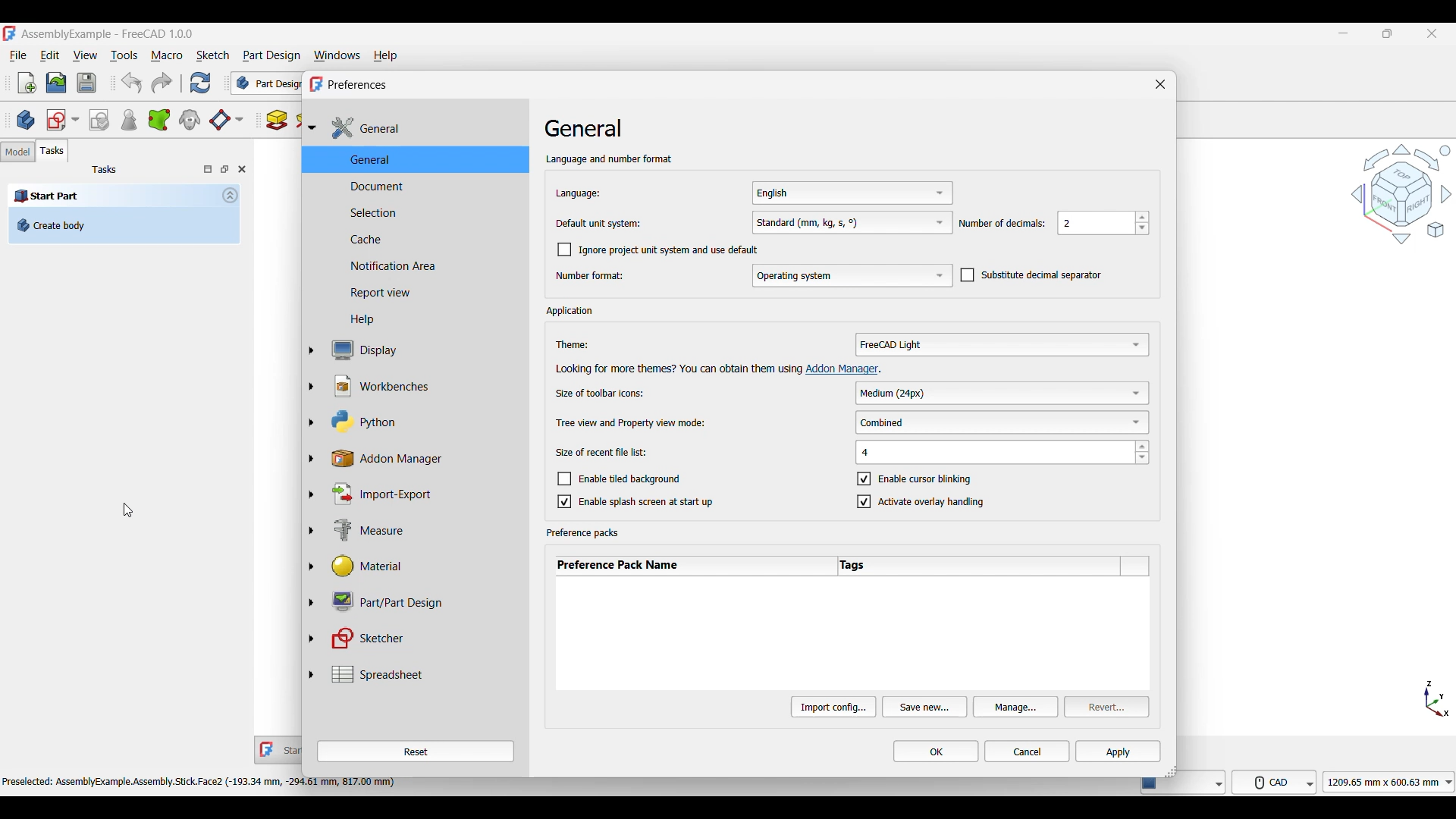 The width and height of the screenshot is (1456, 819). What do you see at coordinates (421, 238) in the screenshot?
I see `Cache` at bounding box center [421, 238].